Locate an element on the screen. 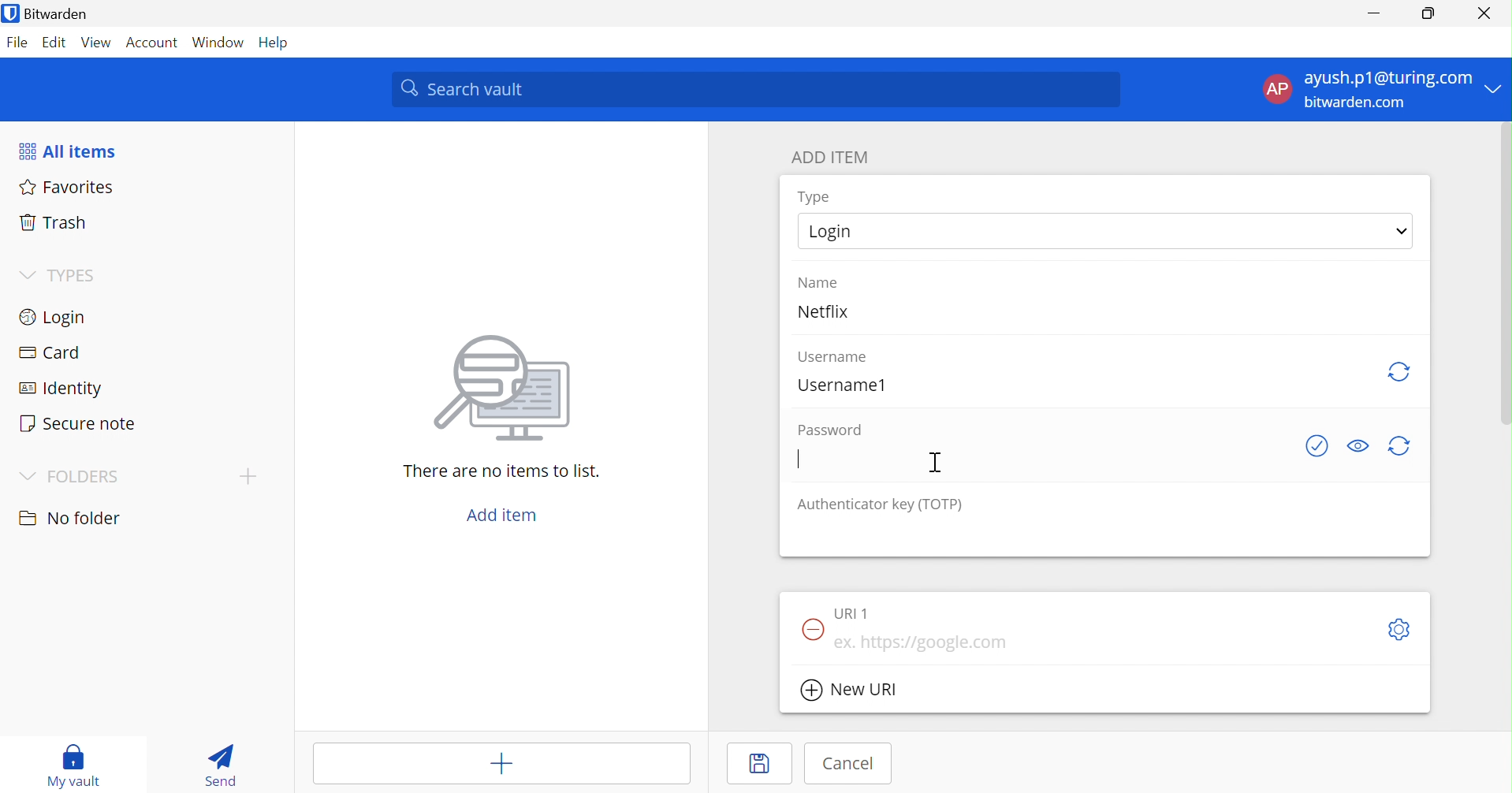 This screenshot has height=793, width=1512. Save is located at coordinates (760, 762).